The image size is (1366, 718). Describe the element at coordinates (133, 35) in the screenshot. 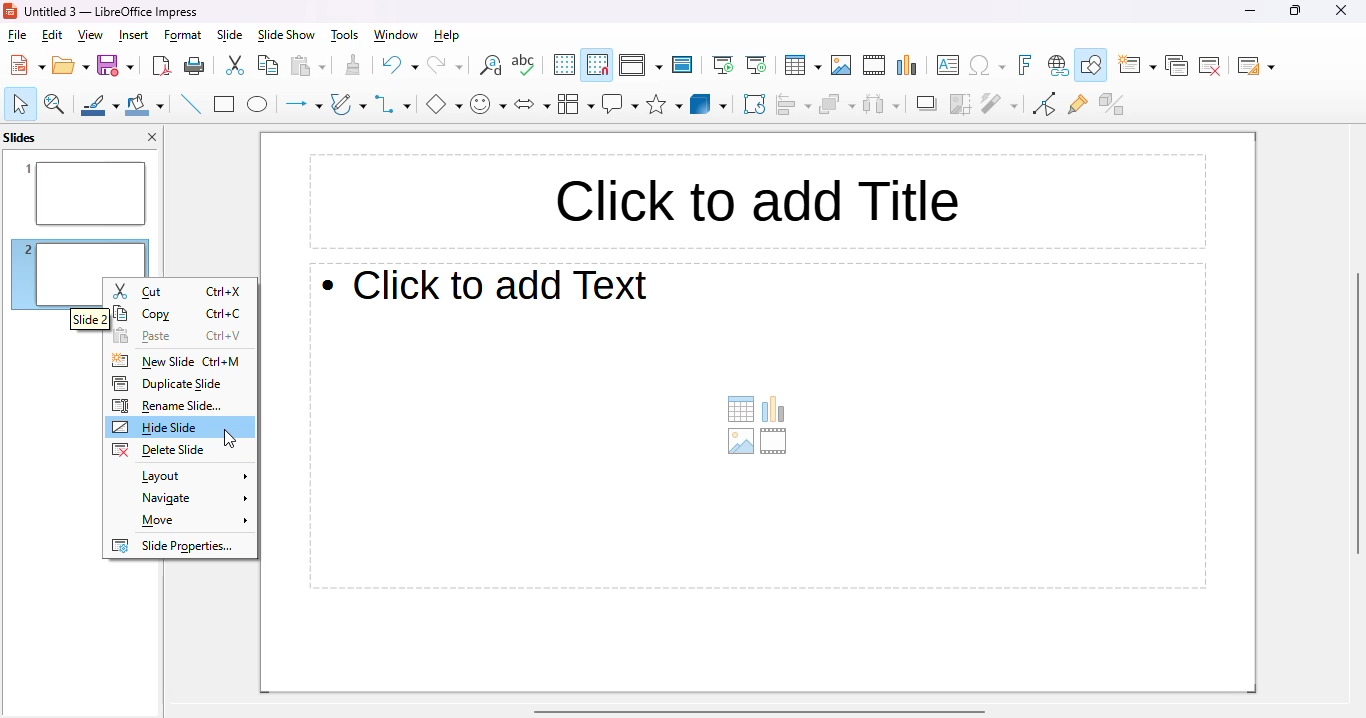

I see `insert` at that location.